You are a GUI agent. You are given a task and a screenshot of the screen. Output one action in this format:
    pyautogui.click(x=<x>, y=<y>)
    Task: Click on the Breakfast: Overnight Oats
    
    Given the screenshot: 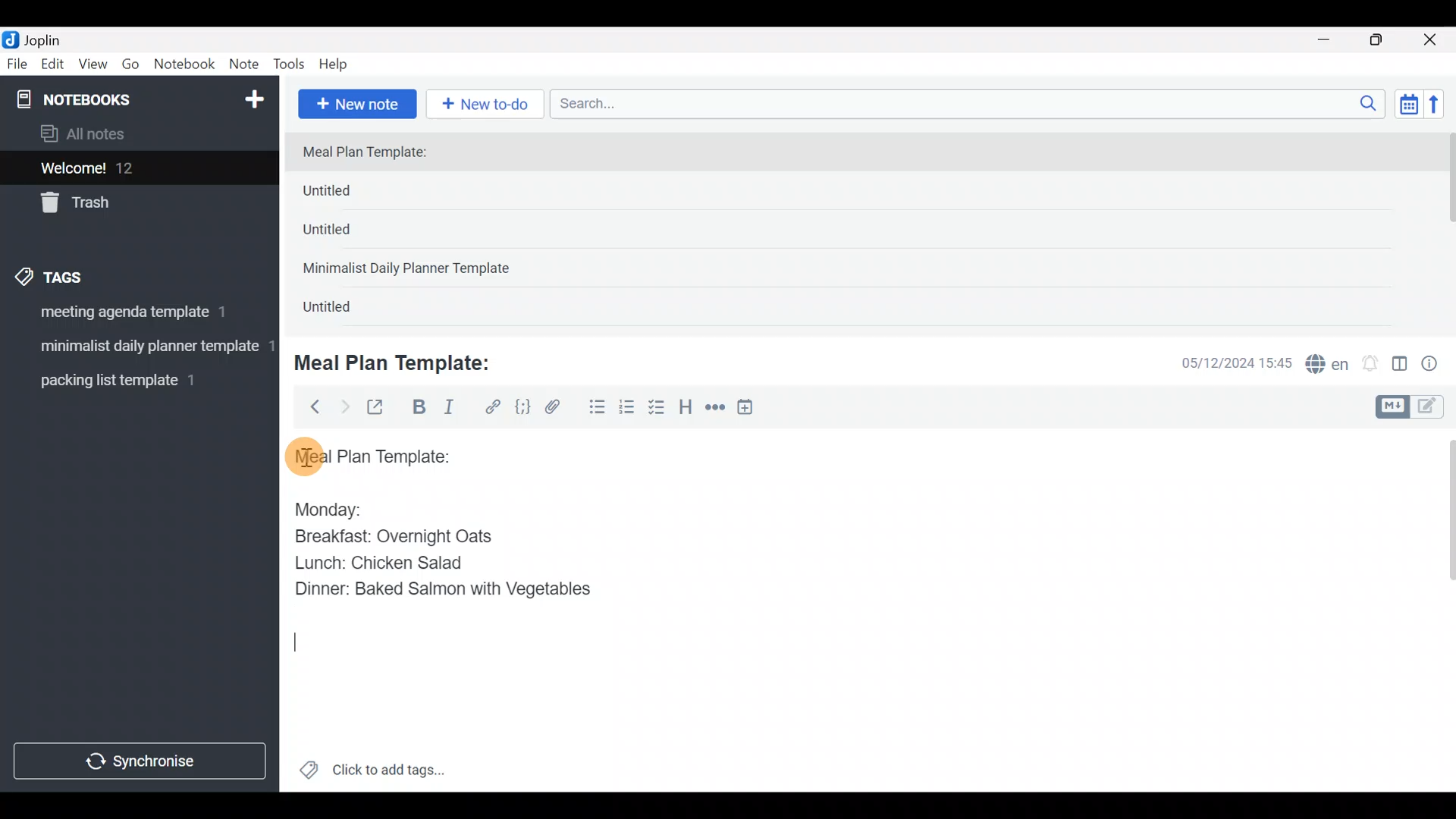 What is the action you would take?
    pyautogui.click(x=391, y=538)
    